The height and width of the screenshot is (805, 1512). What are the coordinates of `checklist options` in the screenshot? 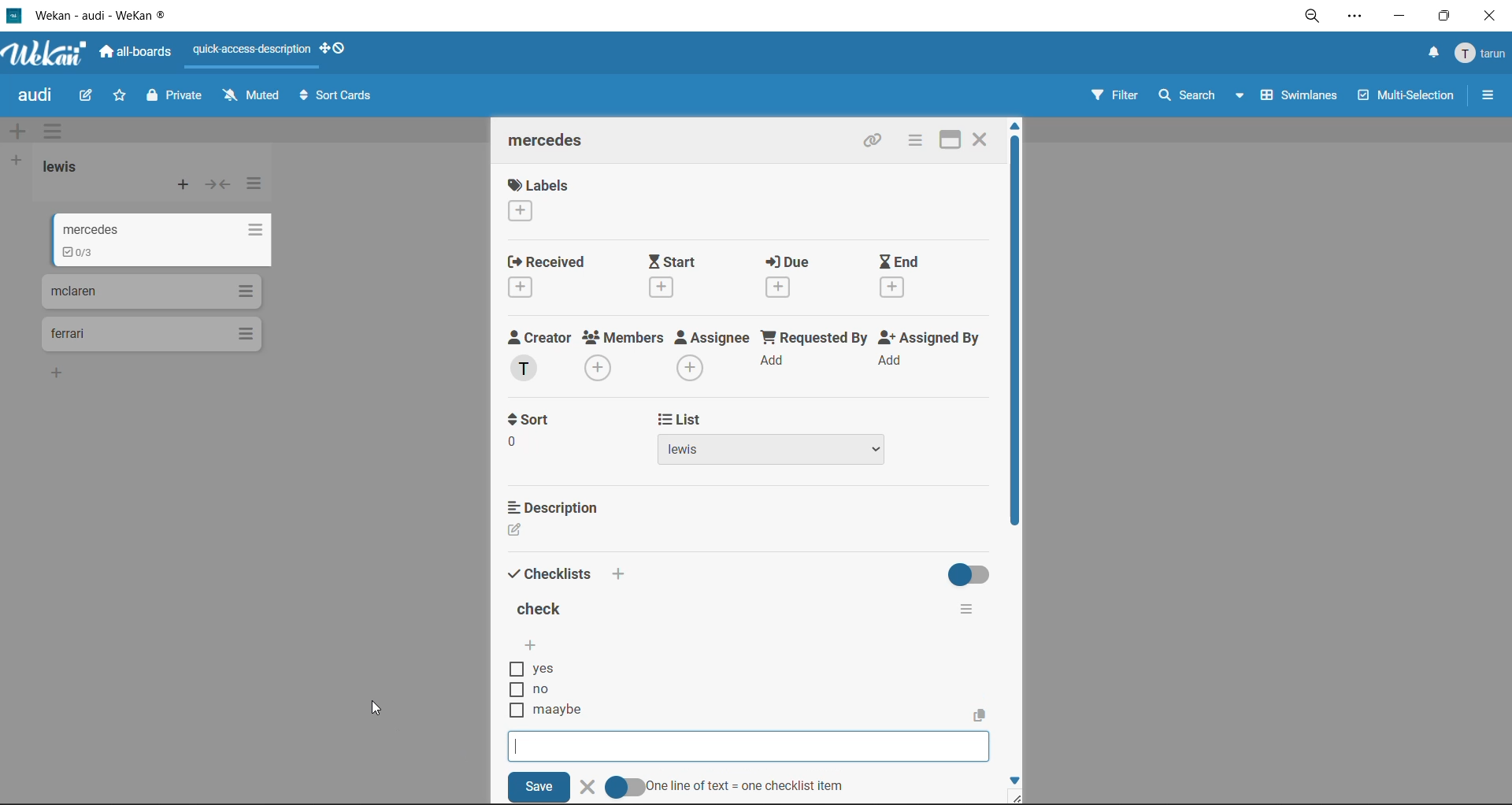 It's located at (535, 677).